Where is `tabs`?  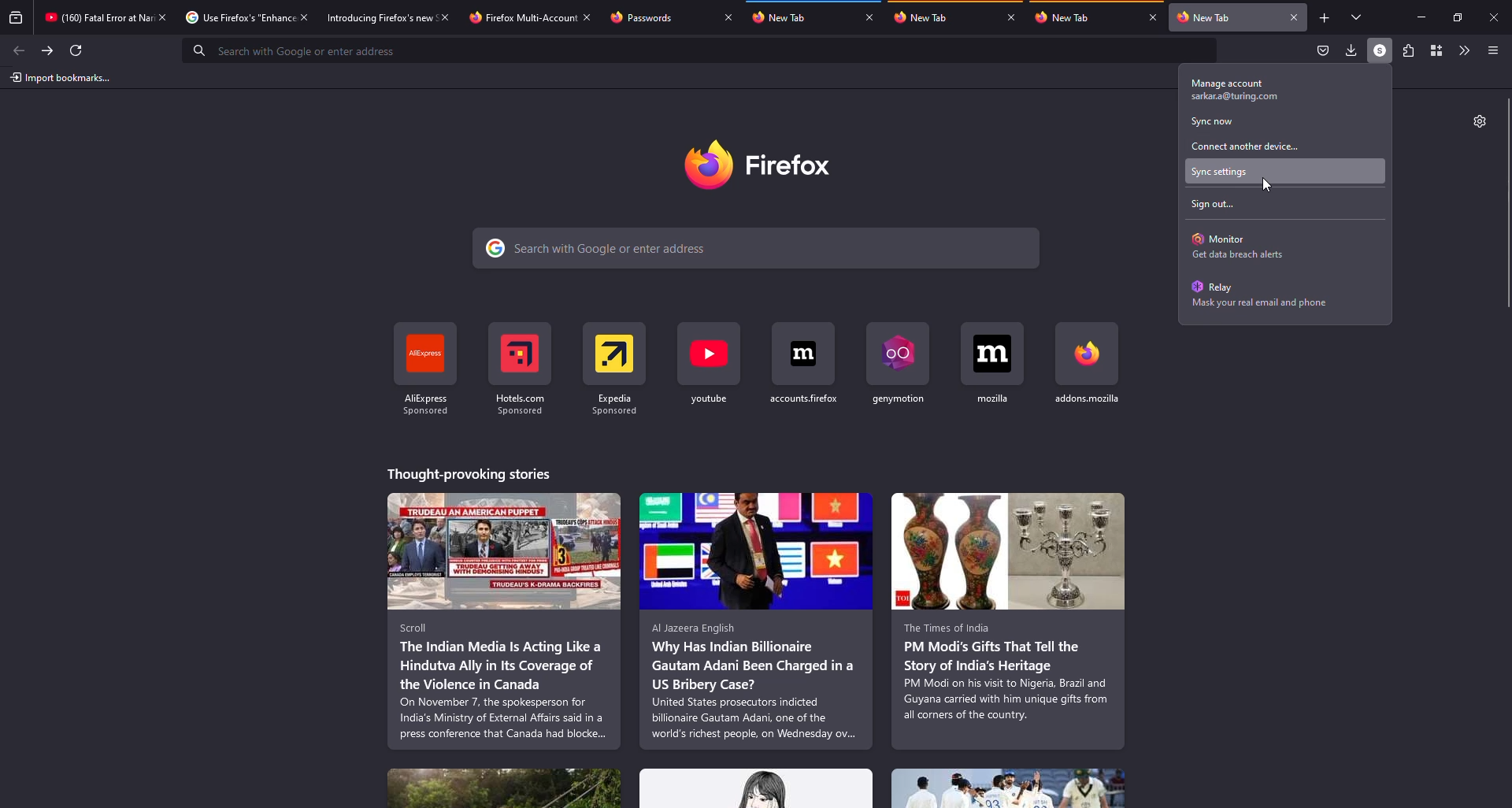 tabs is located at coordinates (1355, 17).